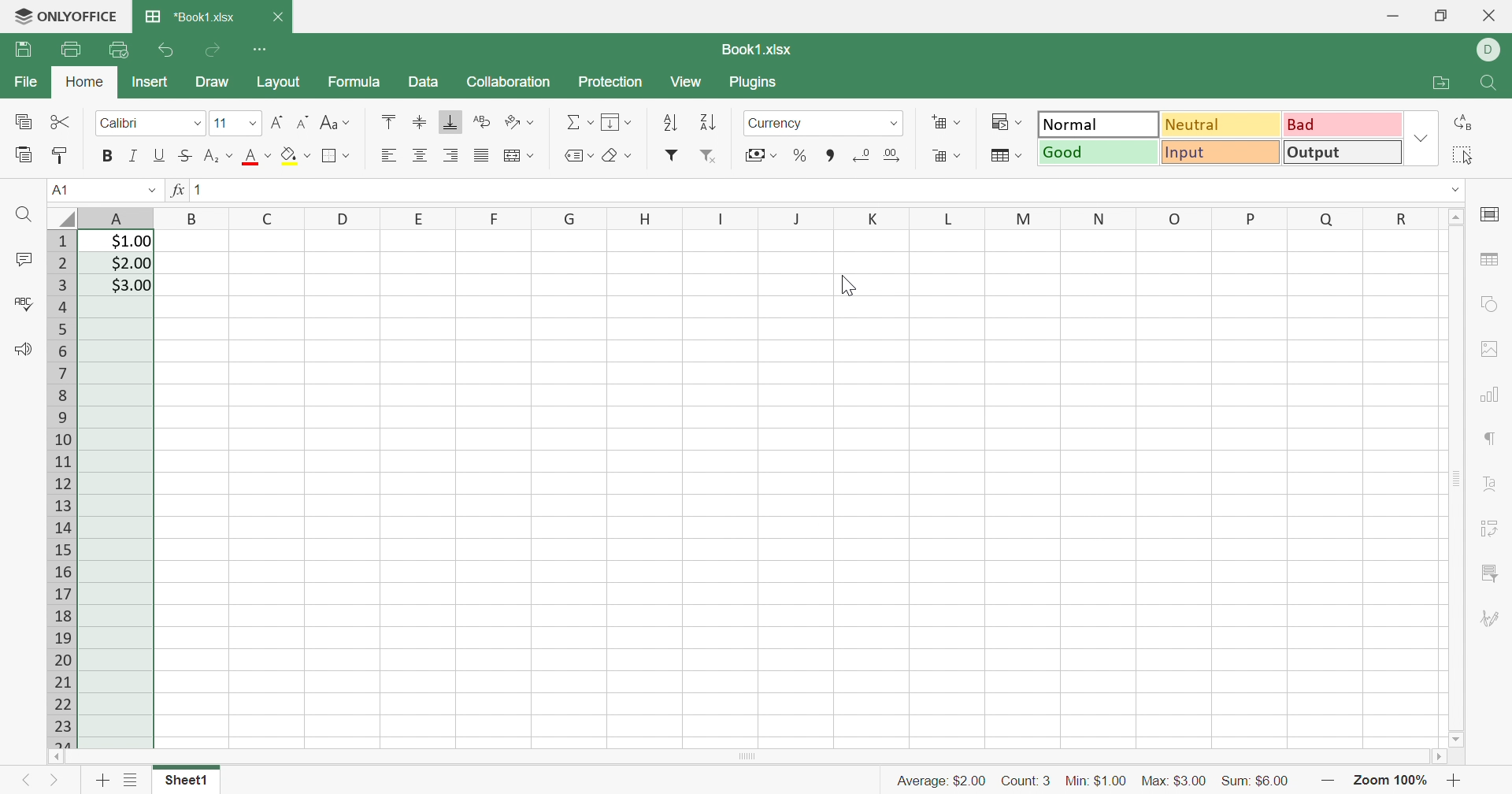  What do you see at coordinates (1096, 782) in the screenshot?
I see `Min: $1.00` at bounding box center [1096, 782].